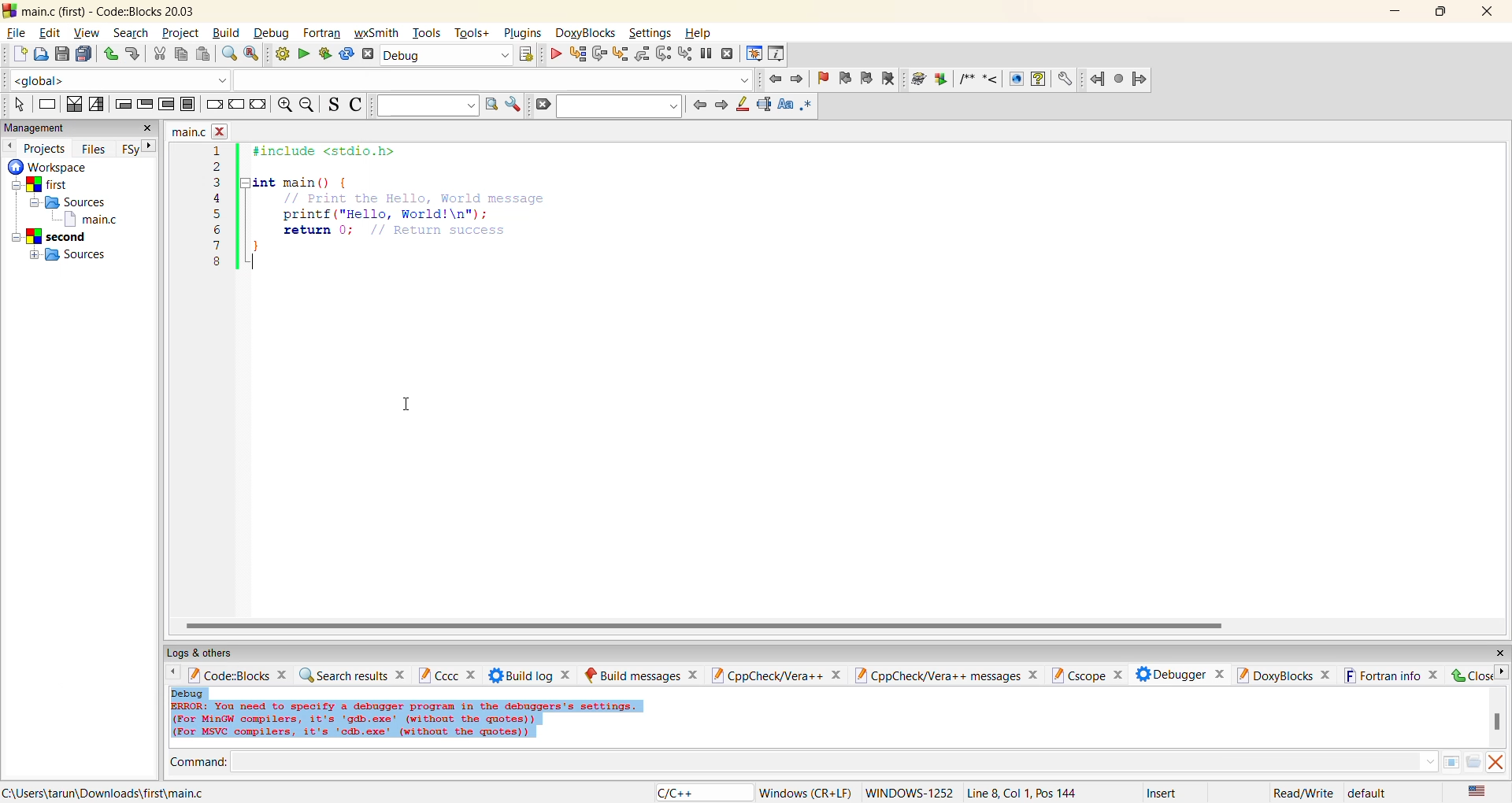 This screenshot has width=1512, height=803. I want to click on instruction, so click(46, 103).